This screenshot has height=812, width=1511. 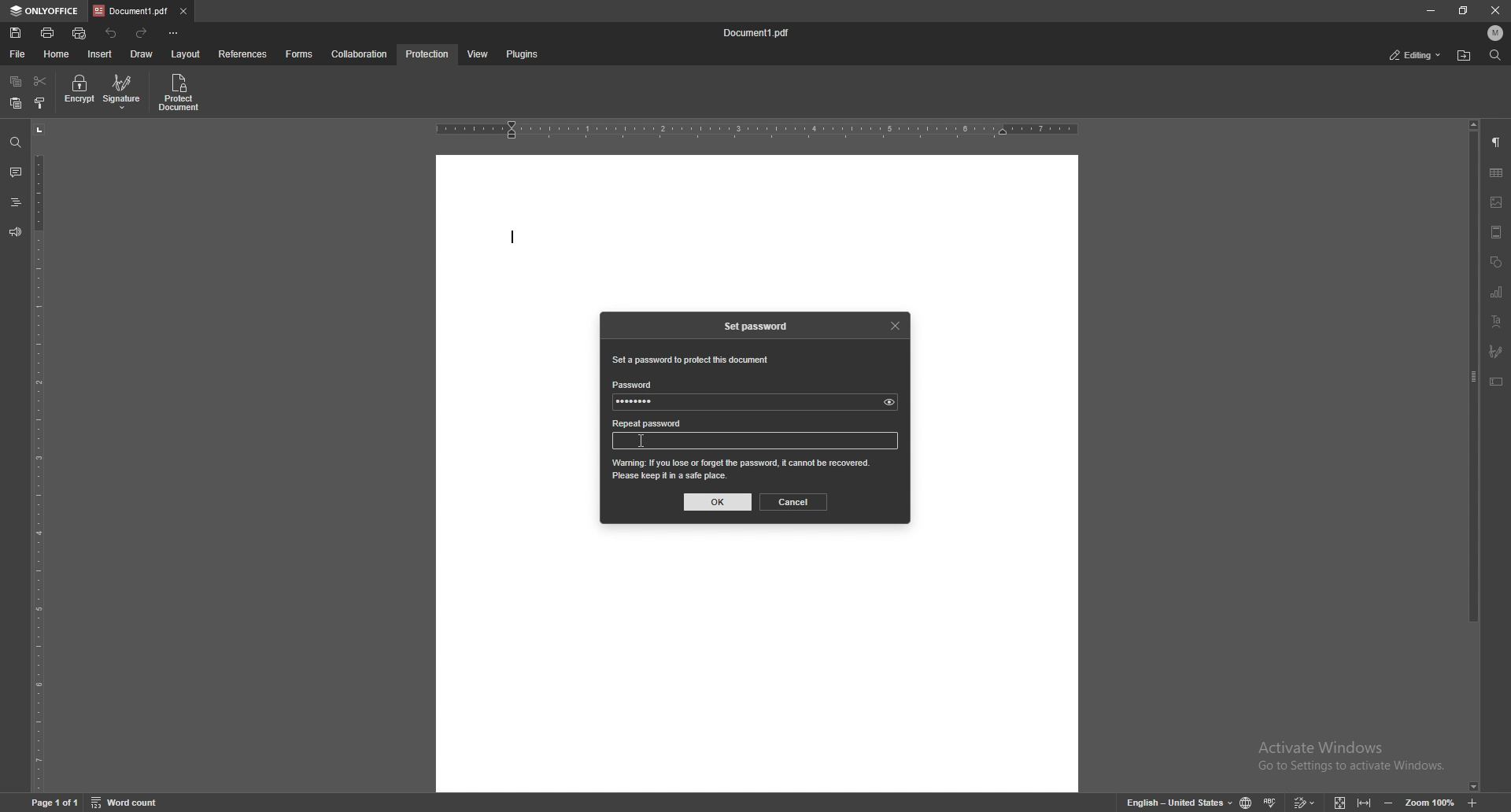 I want to click on warning message, so click(x=742, y=469).